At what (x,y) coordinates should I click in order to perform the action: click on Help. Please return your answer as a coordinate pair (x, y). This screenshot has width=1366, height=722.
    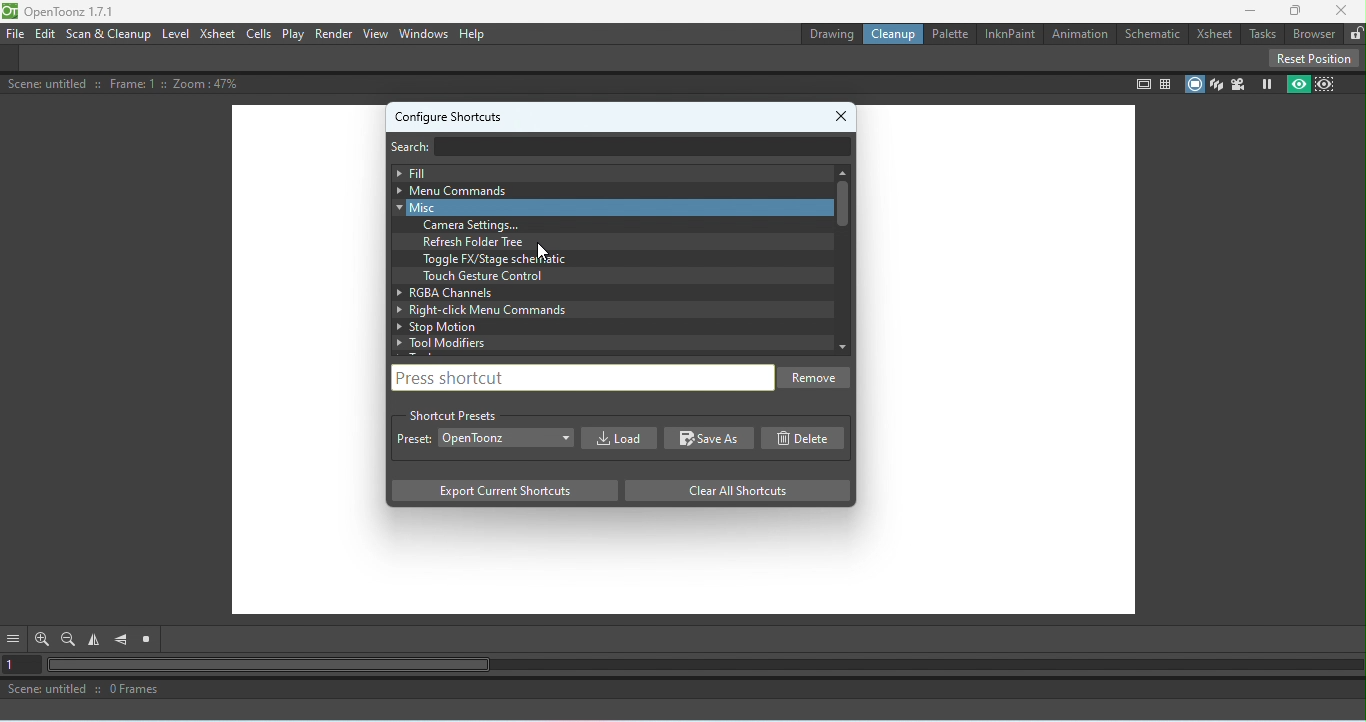
    Looking at the image, I should click on (473, 34).